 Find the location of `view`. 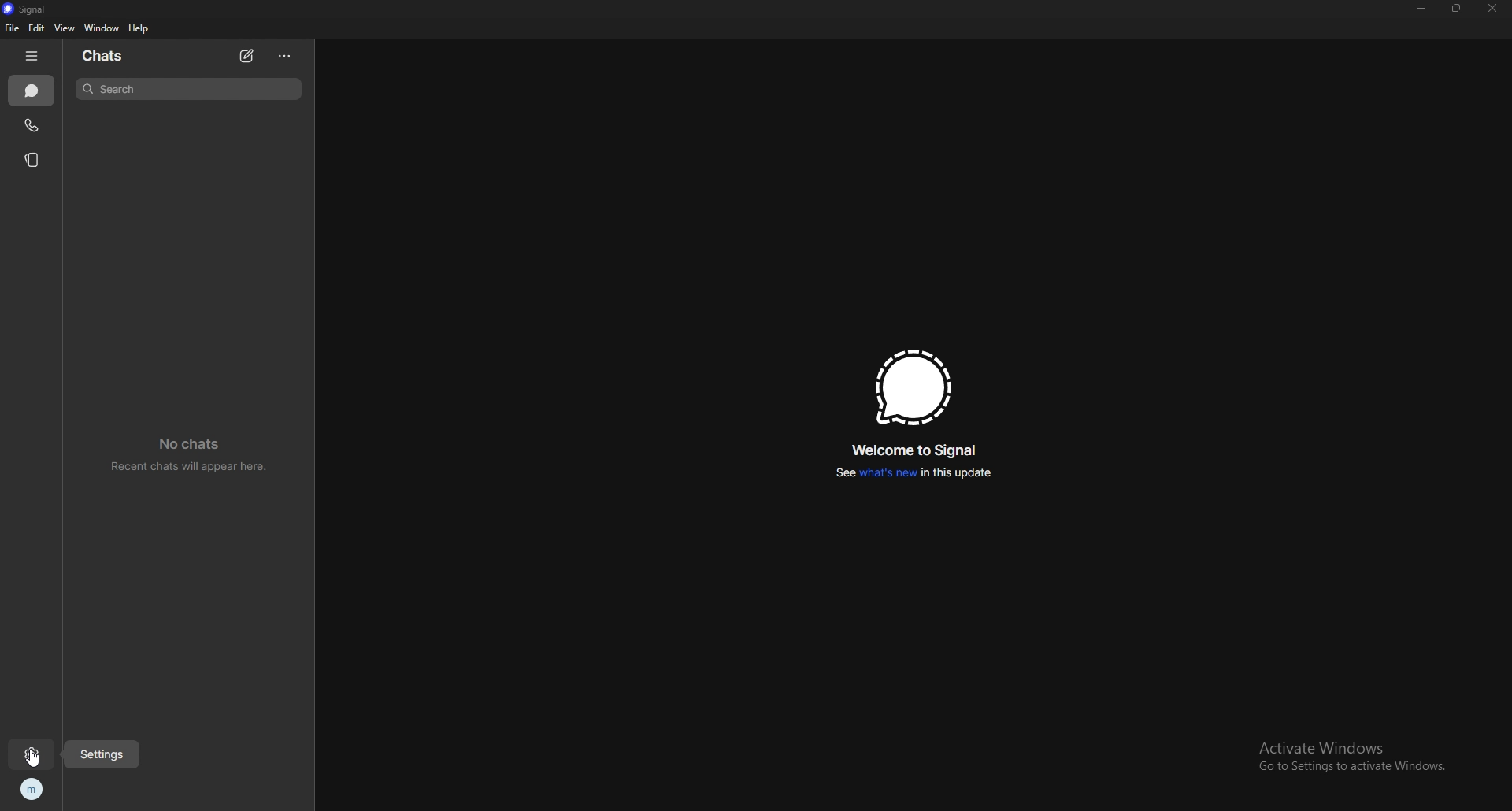

view is located at coordinates (64, 28).